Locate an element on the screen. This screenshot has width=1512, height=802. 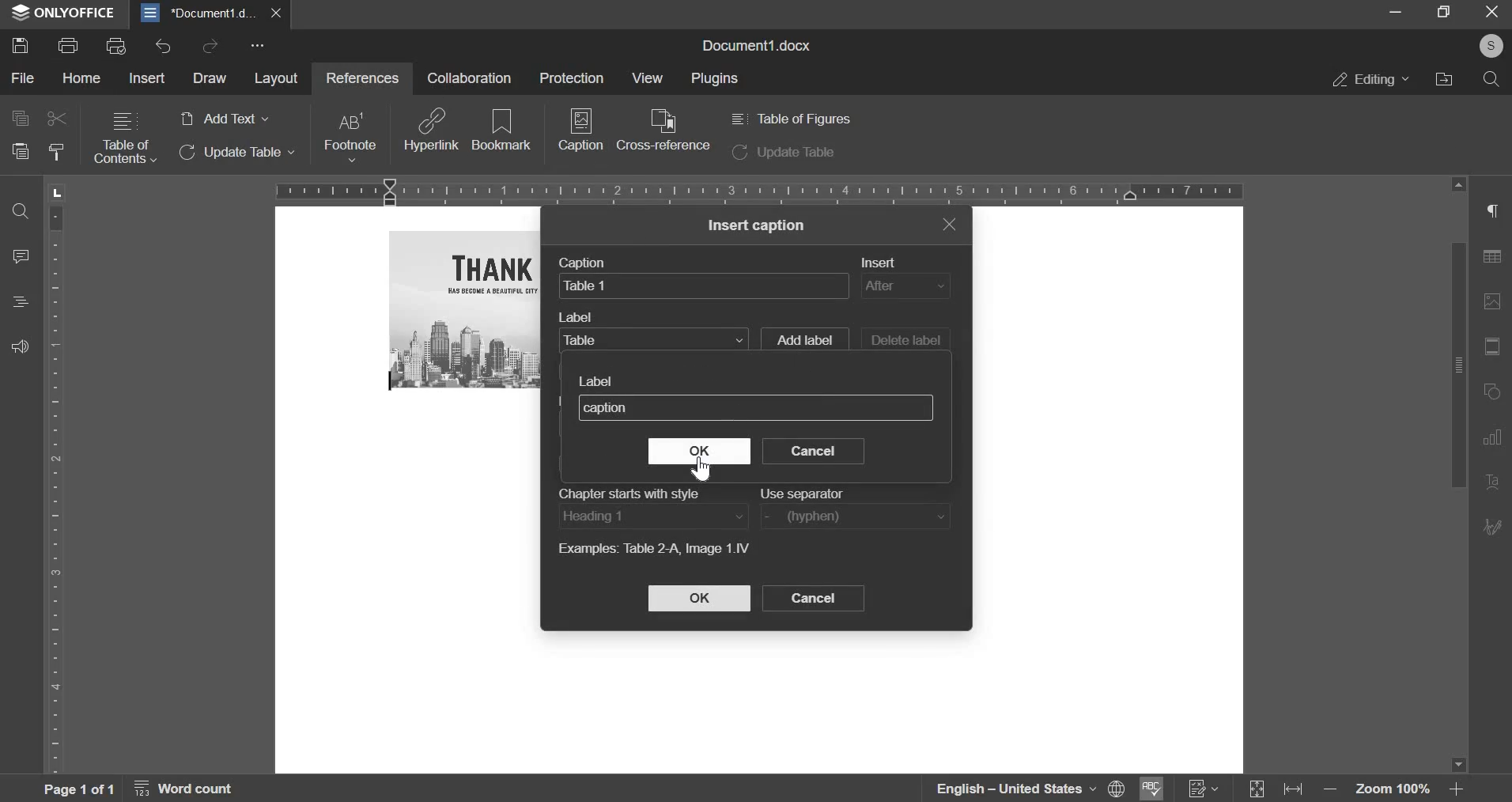
collaboration is located at coordinates (469, 78).